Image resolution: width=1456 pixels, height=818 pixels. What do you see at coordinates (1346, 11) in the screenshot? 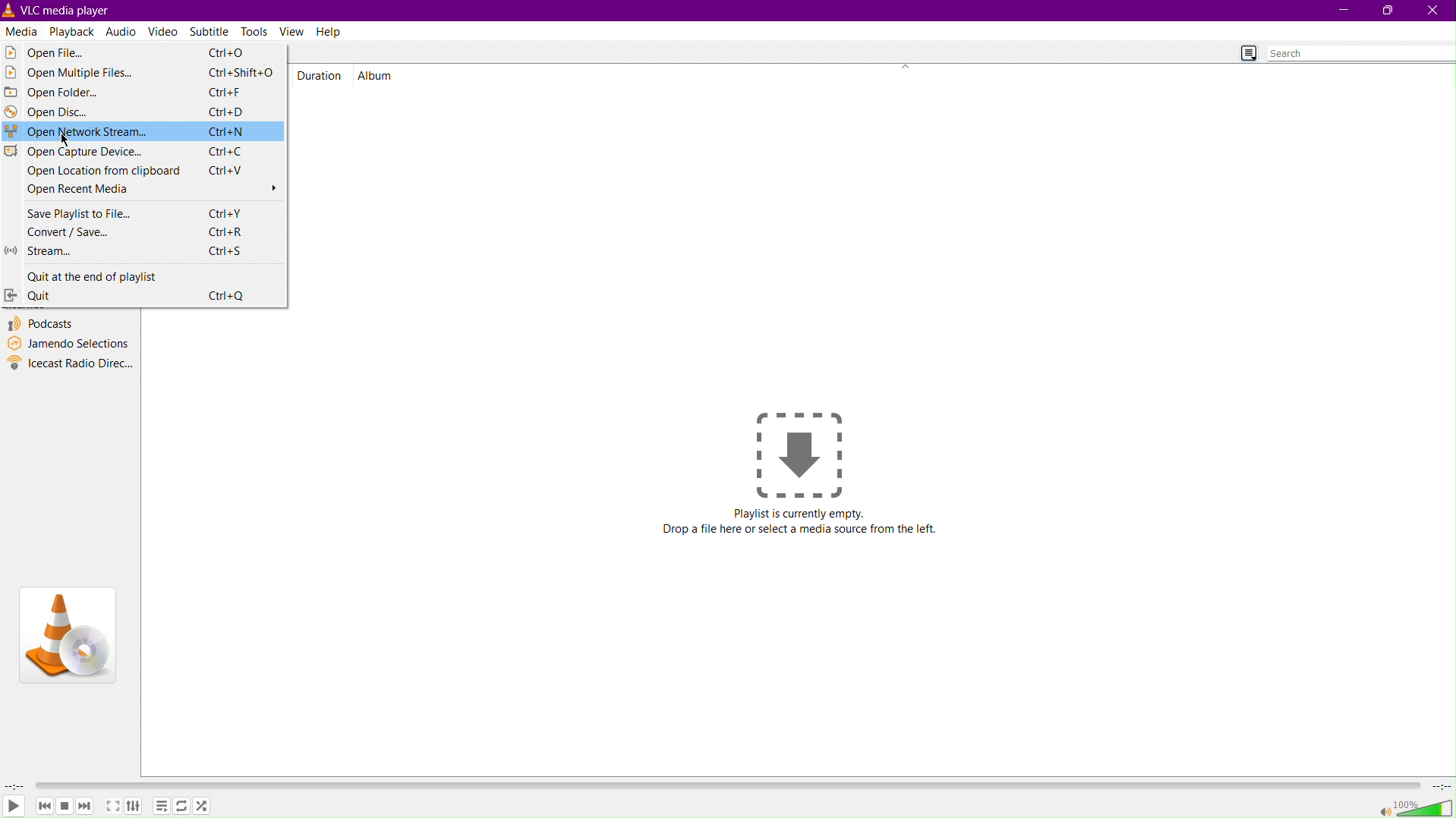
I see `Minimize` at bounding box center [1346, 11].